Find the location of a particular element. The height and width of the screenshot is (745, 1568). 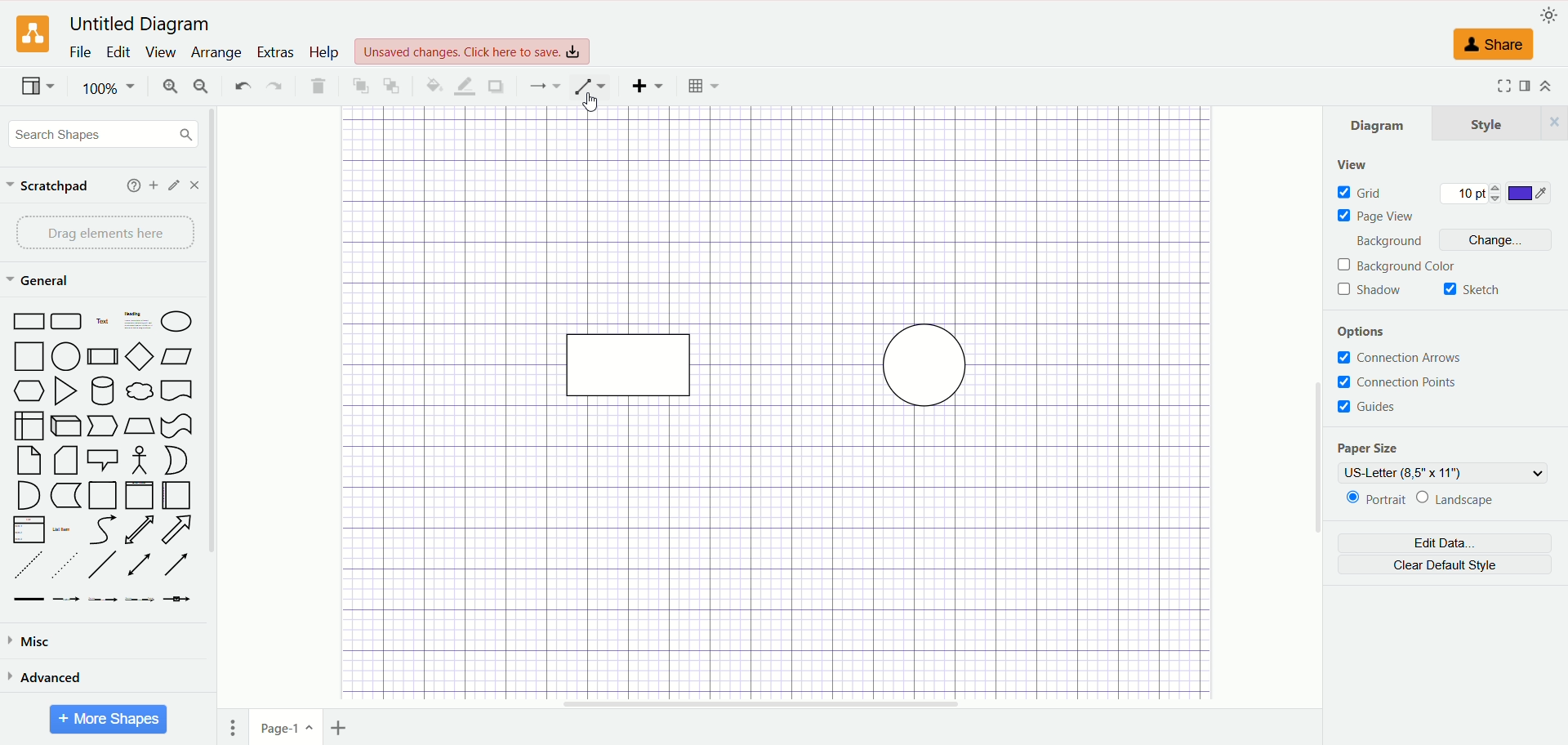

Hexagon is located at coordinates (29, 392).